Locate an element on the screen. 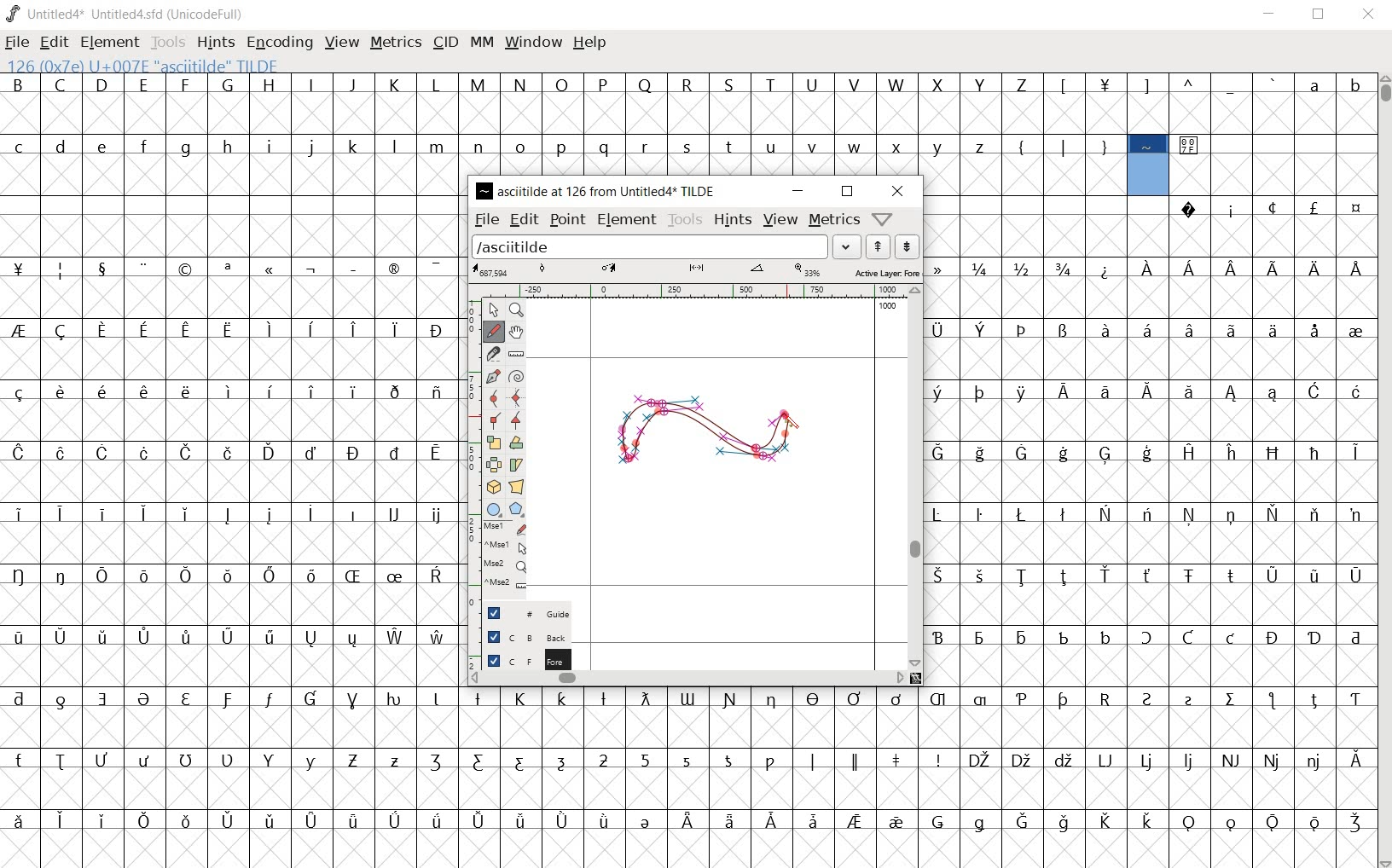  glyph characters is located at coordinates (230, 465).